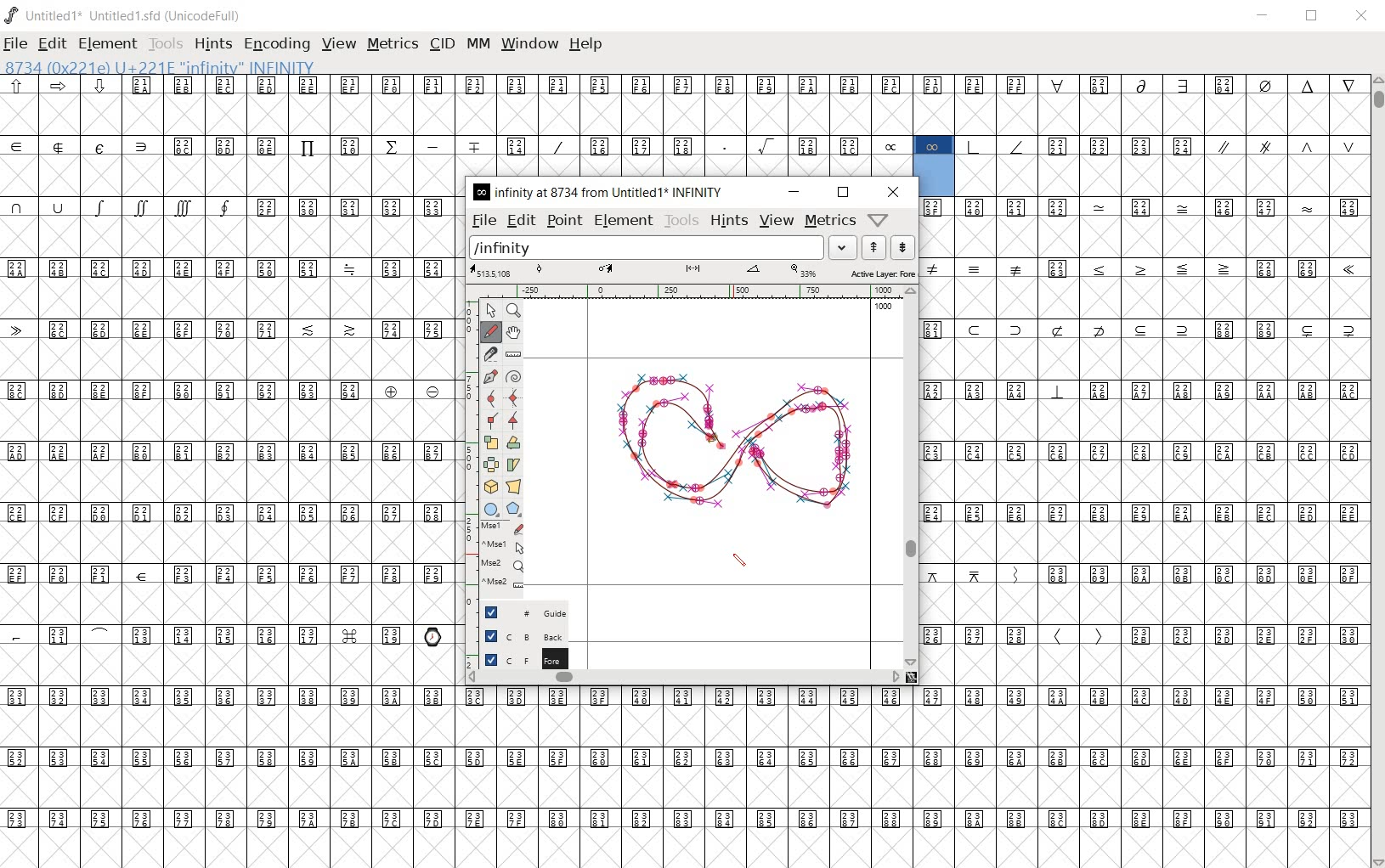  Describe the element at coordinates (491, 399) in the screenshot. I see `add a curve point` at that location.